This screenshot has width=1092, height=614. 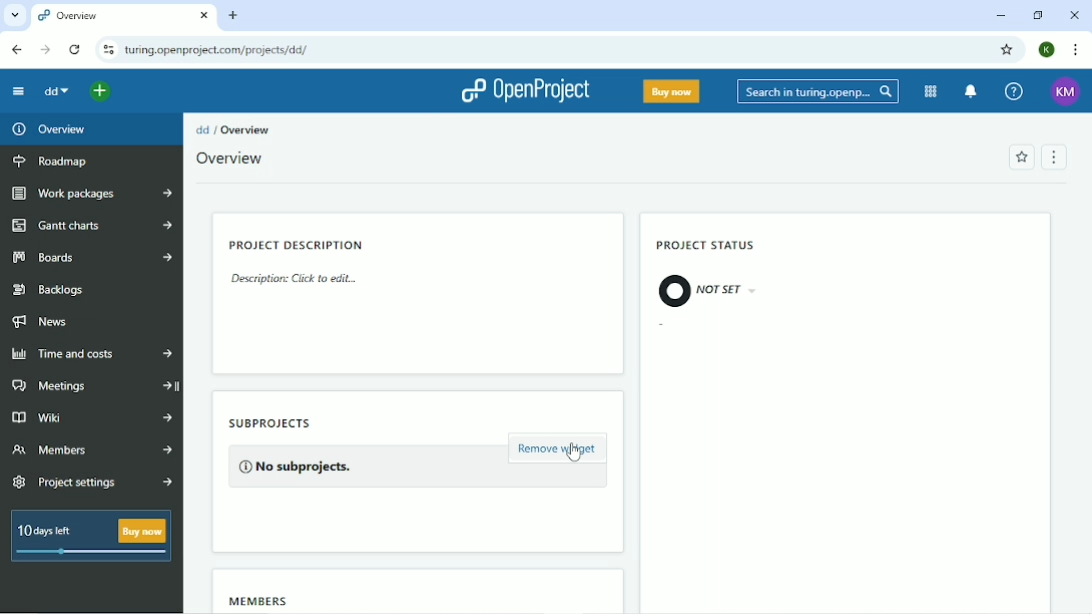 What do you see at coordinates (708, 246) in the screenshot?
I see `Project status` at bounding box center [708, 246].